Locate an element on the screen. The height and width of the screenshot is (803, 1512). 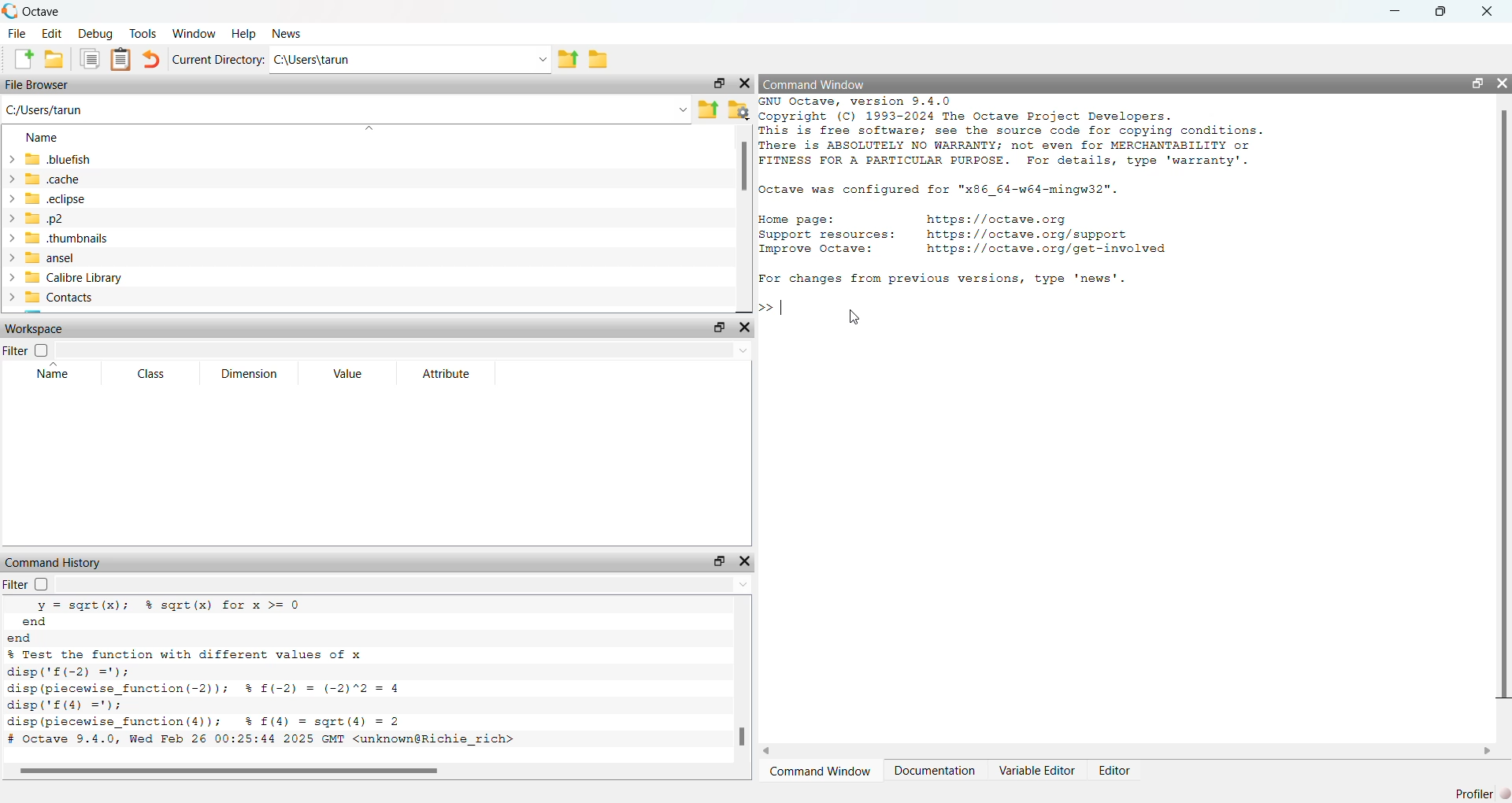
GNU Octave, version 9.4.0

Copyright (C) 1993-2024 The Octave Project Developers.

This is free software; see the source code for copying conditions.
There is ABSOLUTELY NO WARRANTY; not even for MERCHANTABILITY or
FITNESS FOR A PARTICULAR PURPOSE. For details, type 'warranty'.
octave was configured for "x86_64-w64-mingw32".

Home page: https://octave.org

Support resources:  https://octave.org/support

Improve Octave: https://octave.org/get-involved

For changes from previous versions, type 'news'. is located at coordinates (1034, 194).